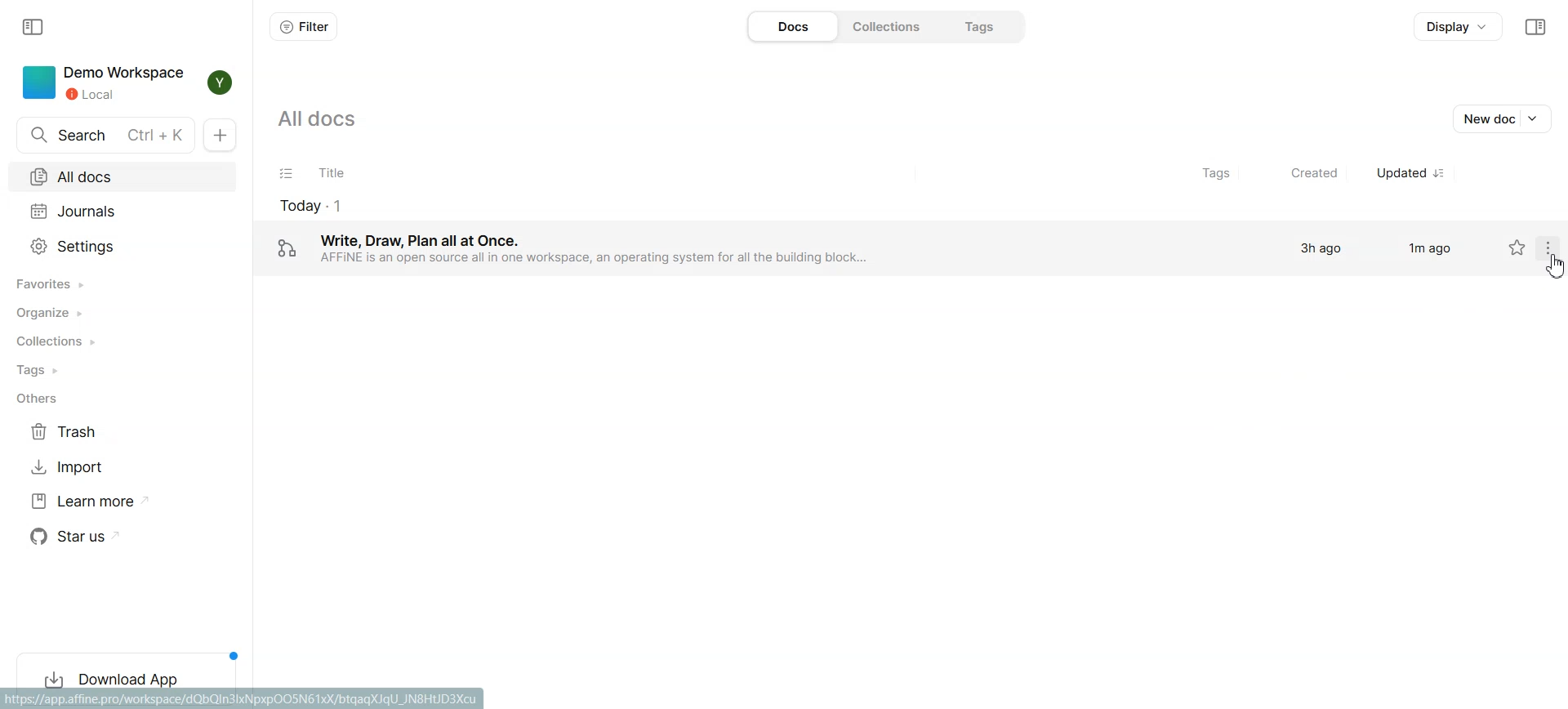 Image resolution: width=1568 pixels, height=709 pixels. Describe the element at coordinates (123, 399) in the screenshot. I see `Others` at that location.